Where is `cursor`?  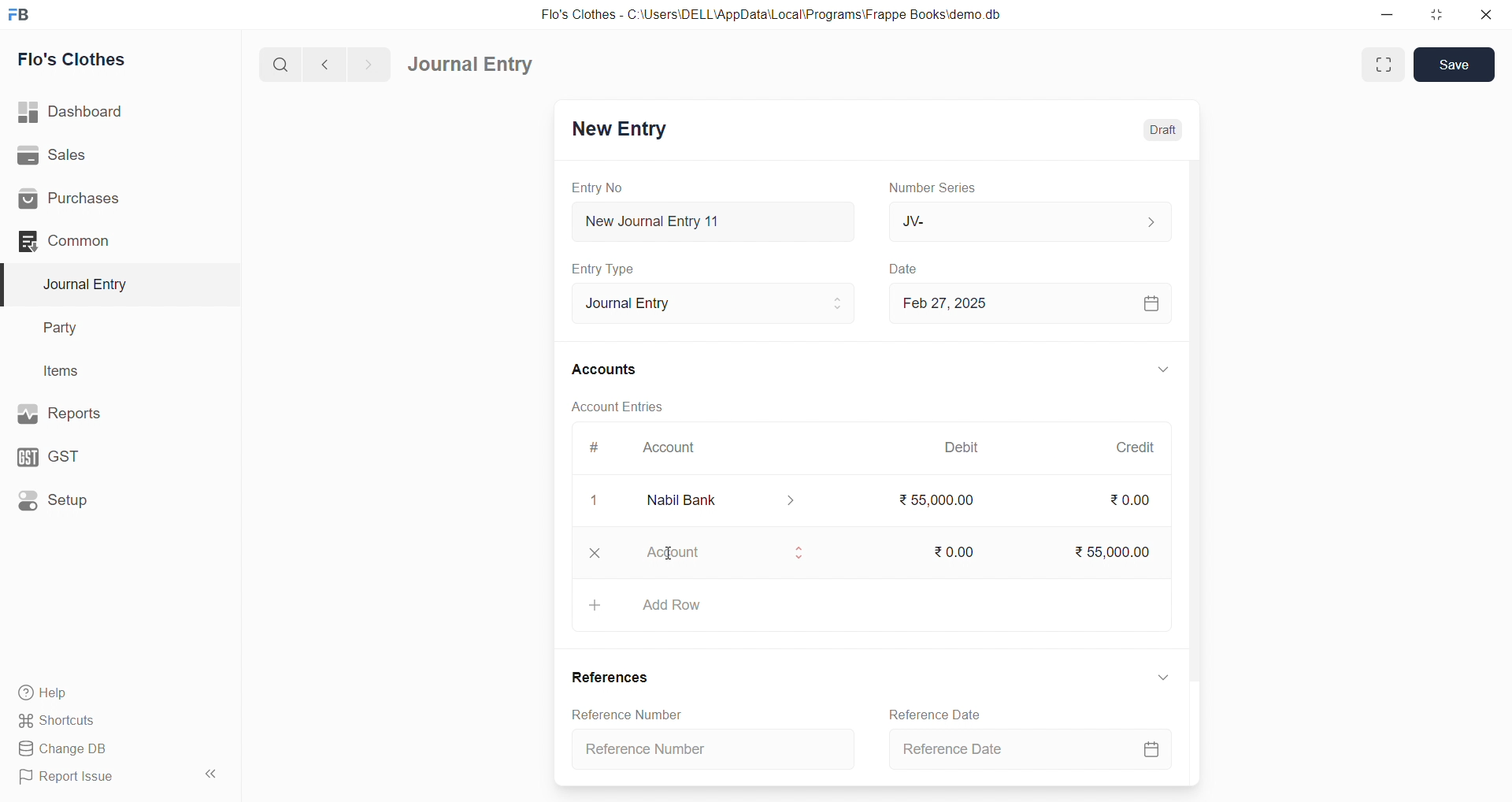
cursor is located at coordinates (673, 560).